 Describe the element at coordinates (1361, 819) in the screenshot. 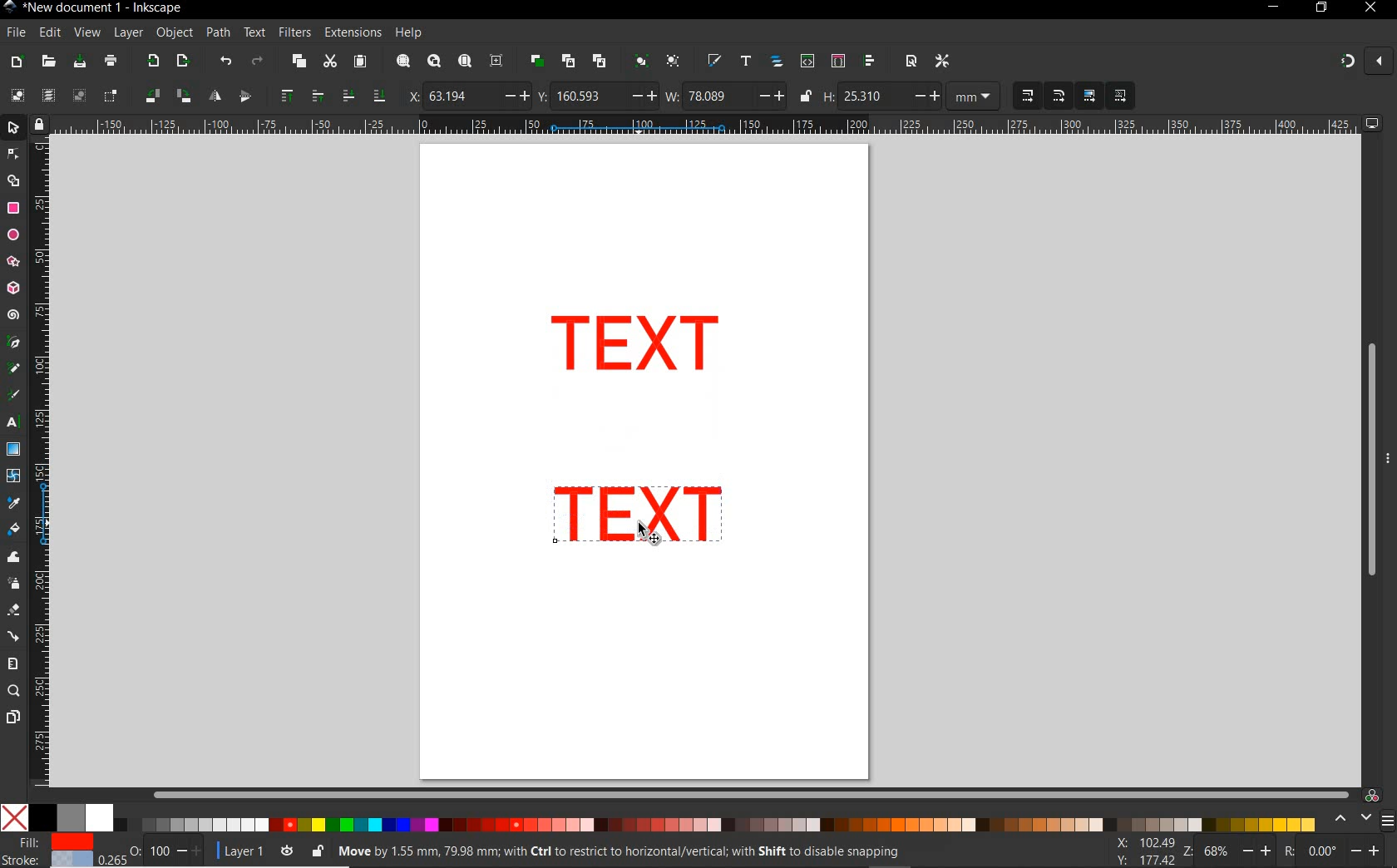

I see `select color palette` at that location.